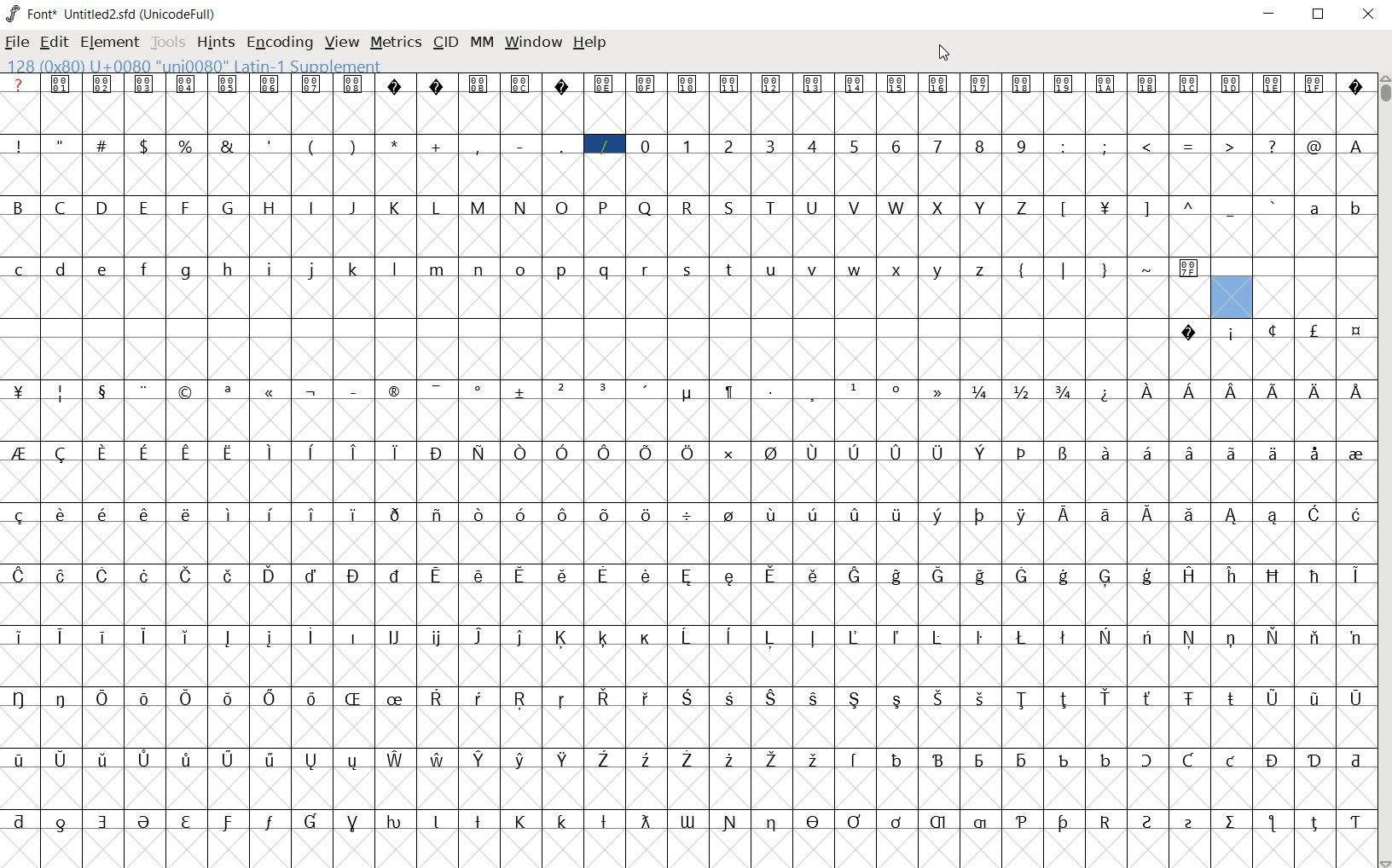 The height and width of the screenshot is (868, 1392). I want to click on glyph, so click(61, 759).